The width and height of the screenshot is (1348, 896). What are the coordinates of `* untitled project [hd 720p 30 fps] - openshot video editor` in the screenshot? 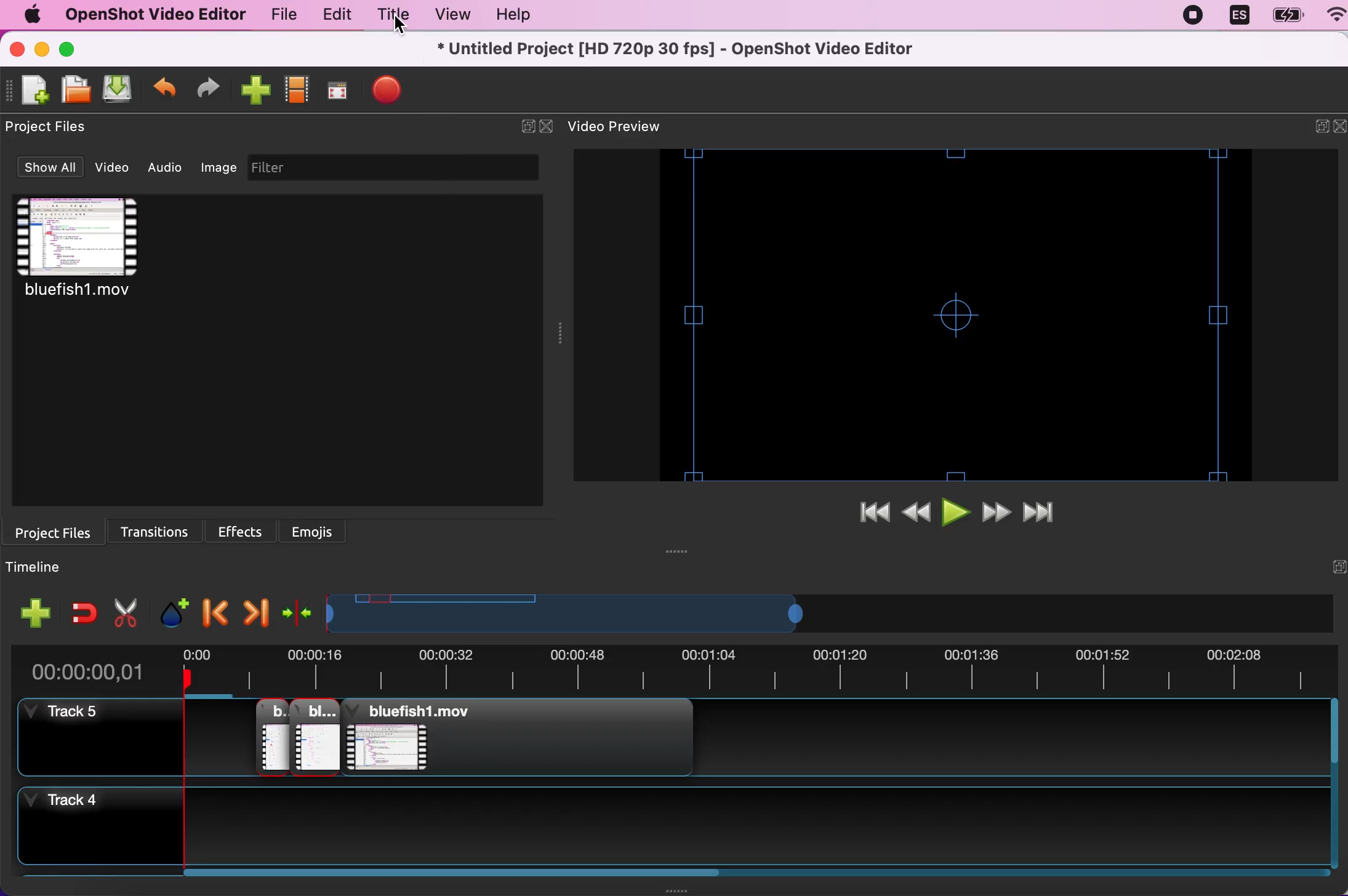 It's located at (696, 47).